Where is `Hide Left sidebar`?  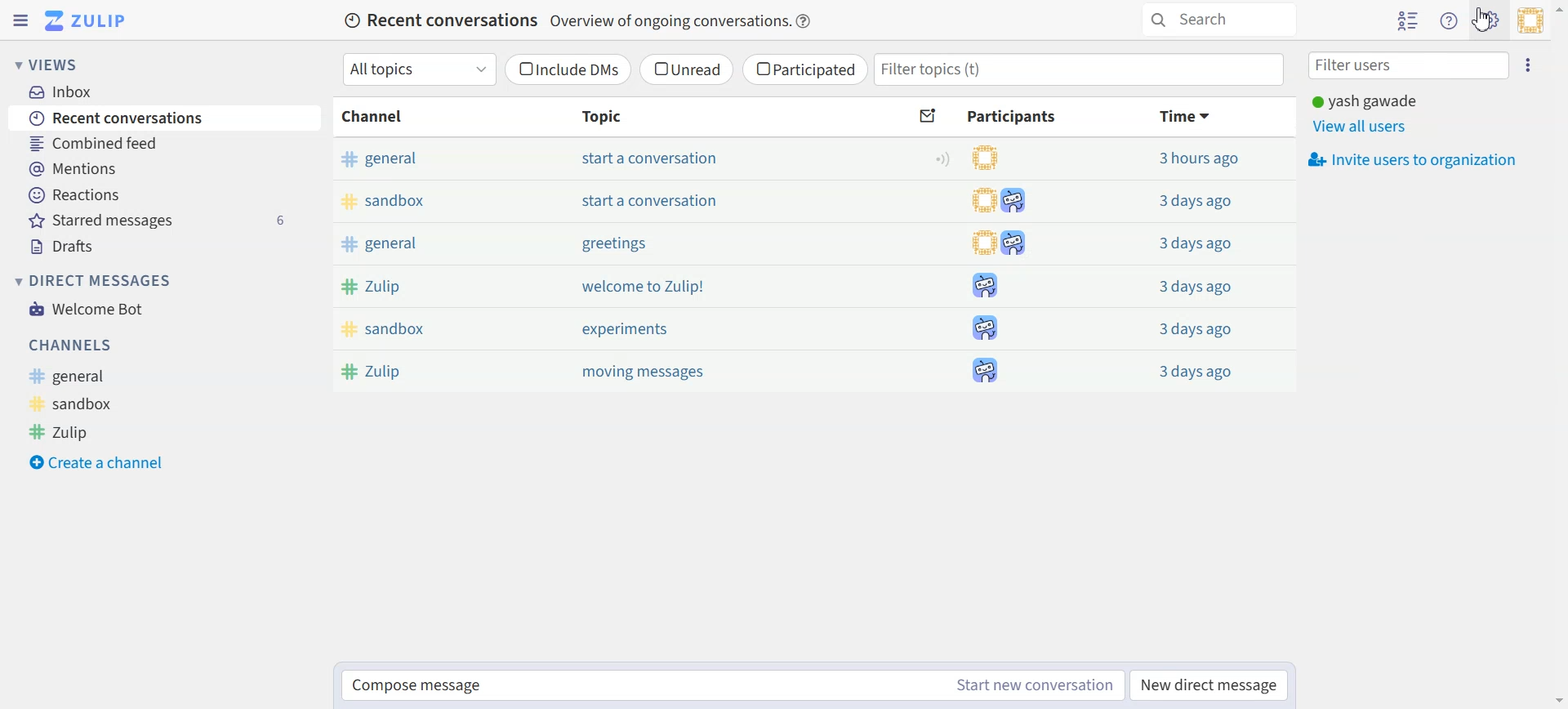
Hide Left sidebar is located at coordinates (21, 21).